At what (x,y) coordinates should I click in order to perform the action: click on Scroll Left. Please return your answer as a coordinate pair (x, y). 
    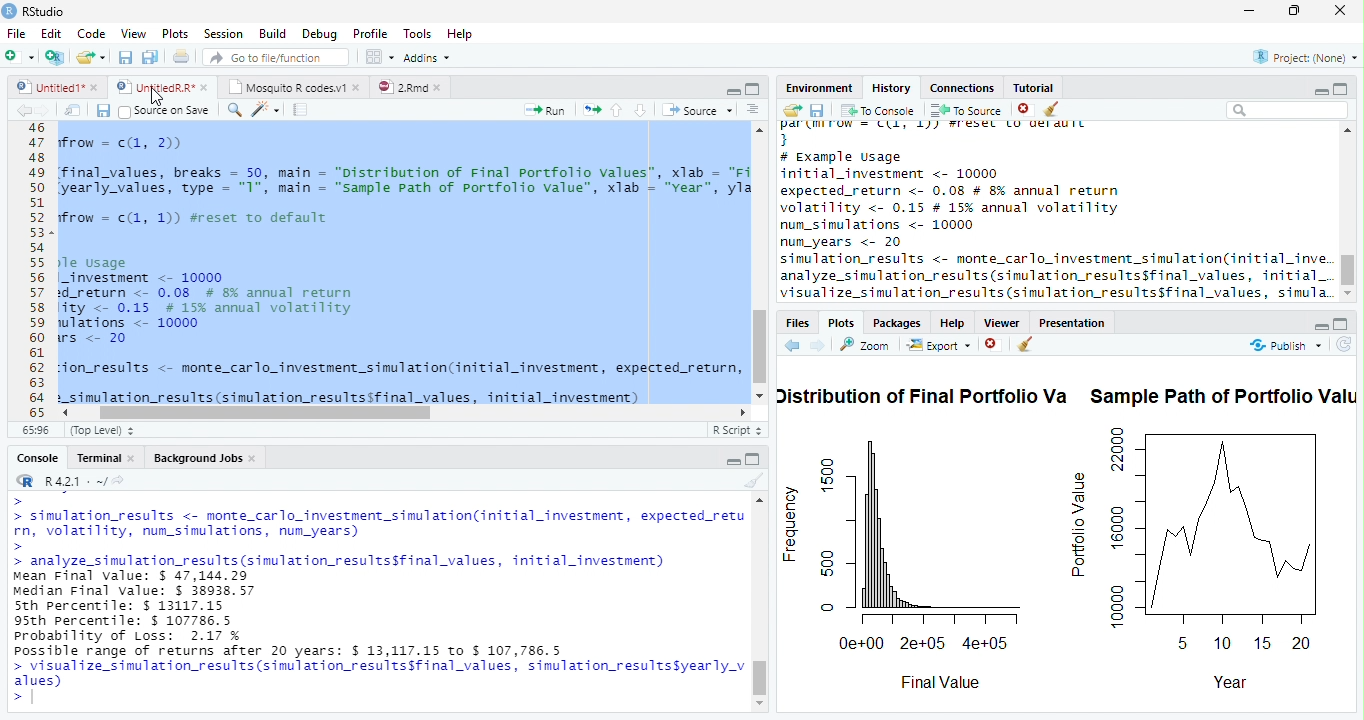
    Looking at the image, I should click on (64, 412).